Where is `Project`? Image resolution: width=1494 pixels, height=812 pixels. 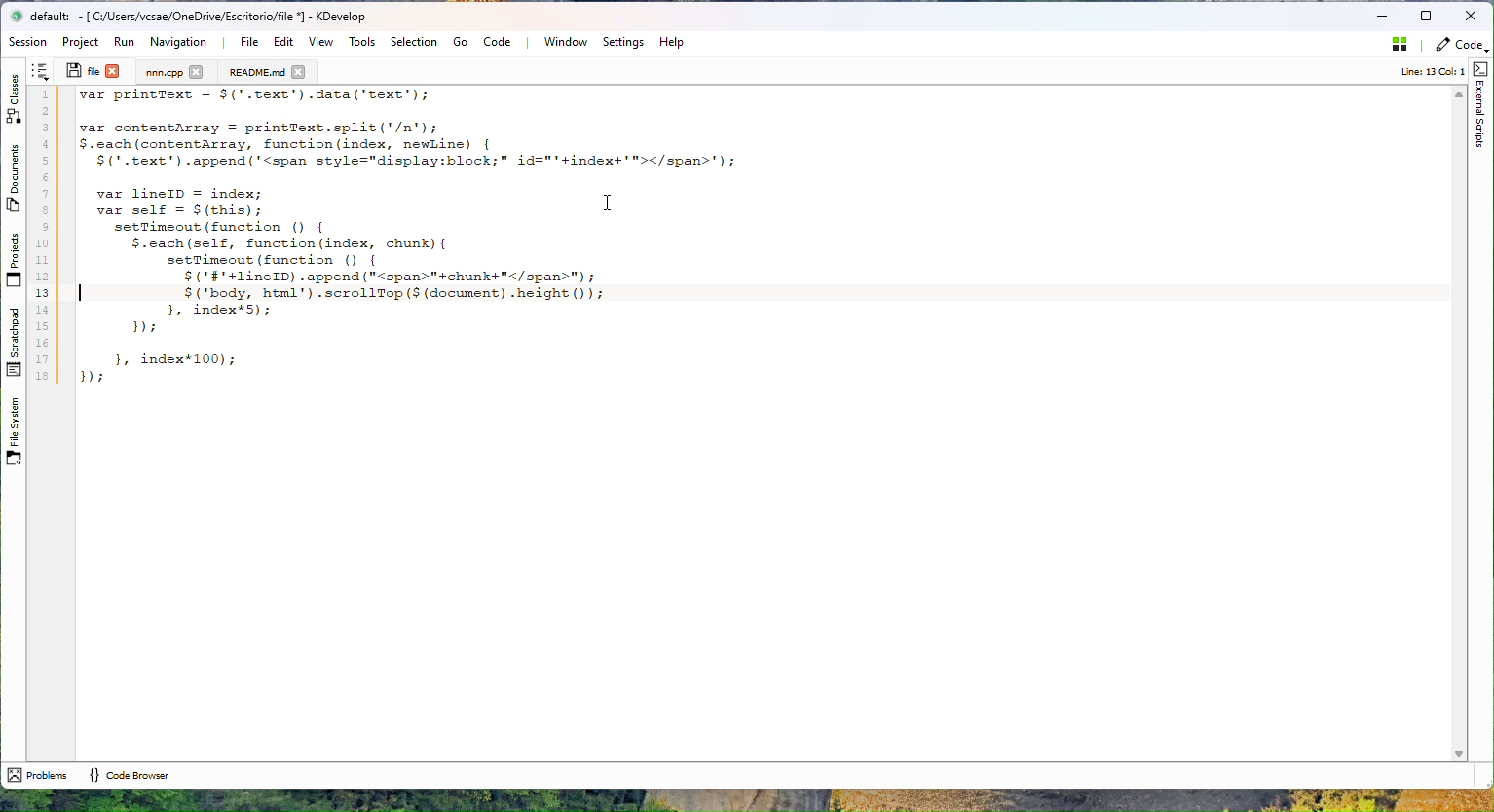
Project is located at coordinates (165, 72).